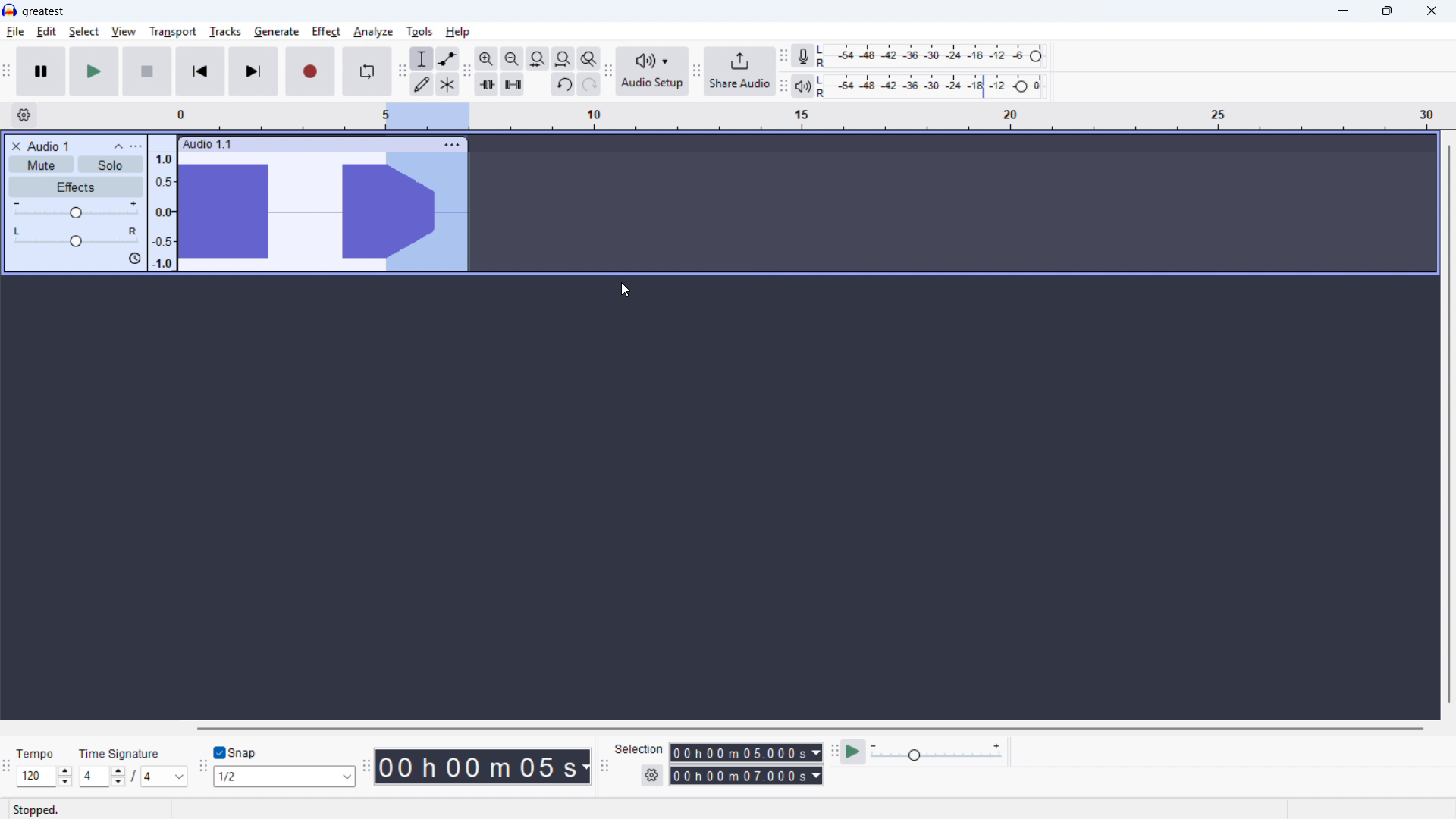 This screenshot has width=1456, height=819. What do you see at coordinates (41, 71) in the screenshot?
I see `Pause ` at bounding box center [41, 71].